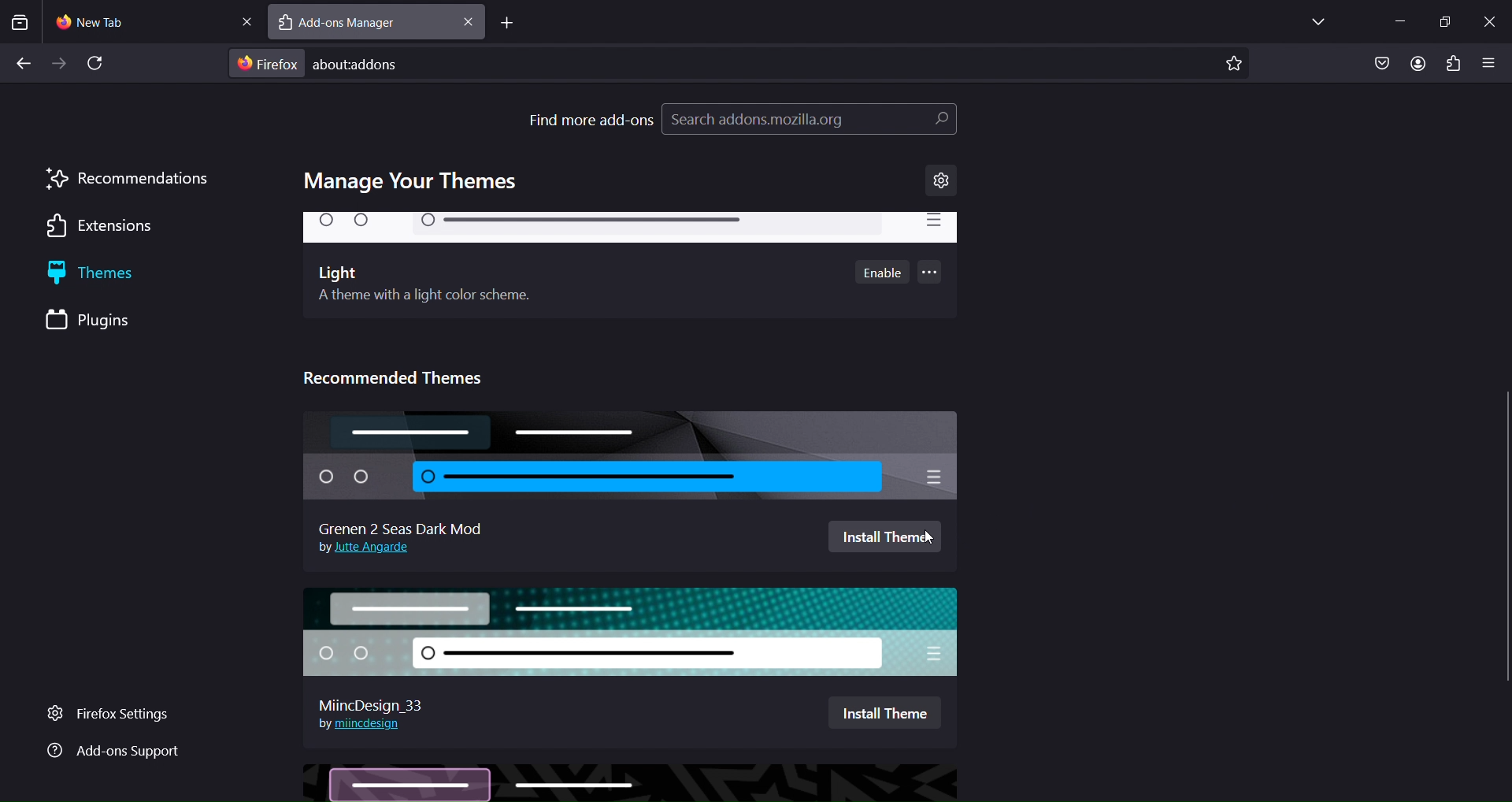  What do you see at coordinates (1444, 20) in the screenshot?
I see `restore windowss` at bounding box center [1444, 20].